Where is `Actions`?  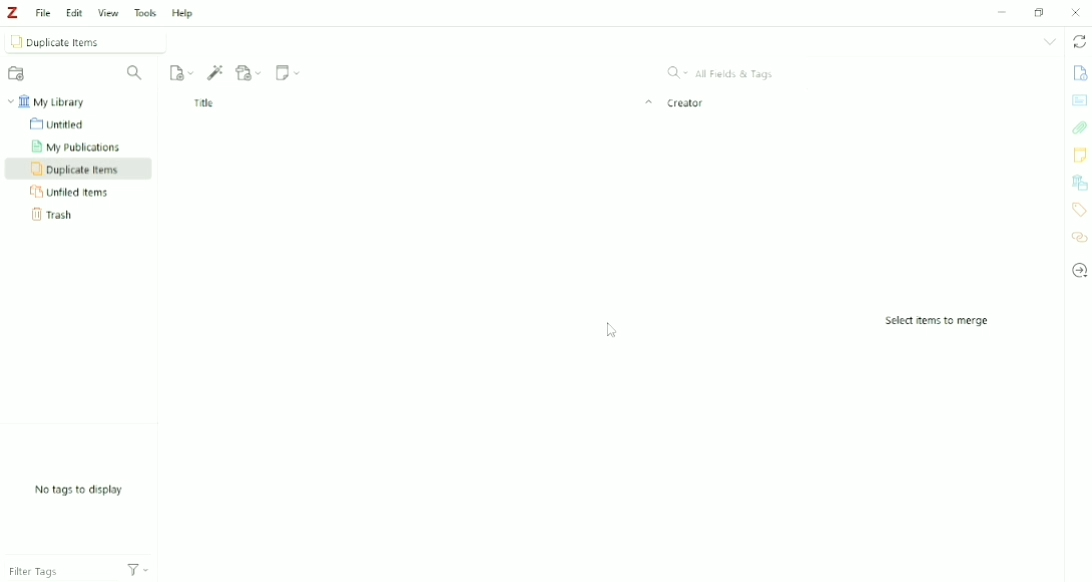
Actions is located at coordinates (139, 571).